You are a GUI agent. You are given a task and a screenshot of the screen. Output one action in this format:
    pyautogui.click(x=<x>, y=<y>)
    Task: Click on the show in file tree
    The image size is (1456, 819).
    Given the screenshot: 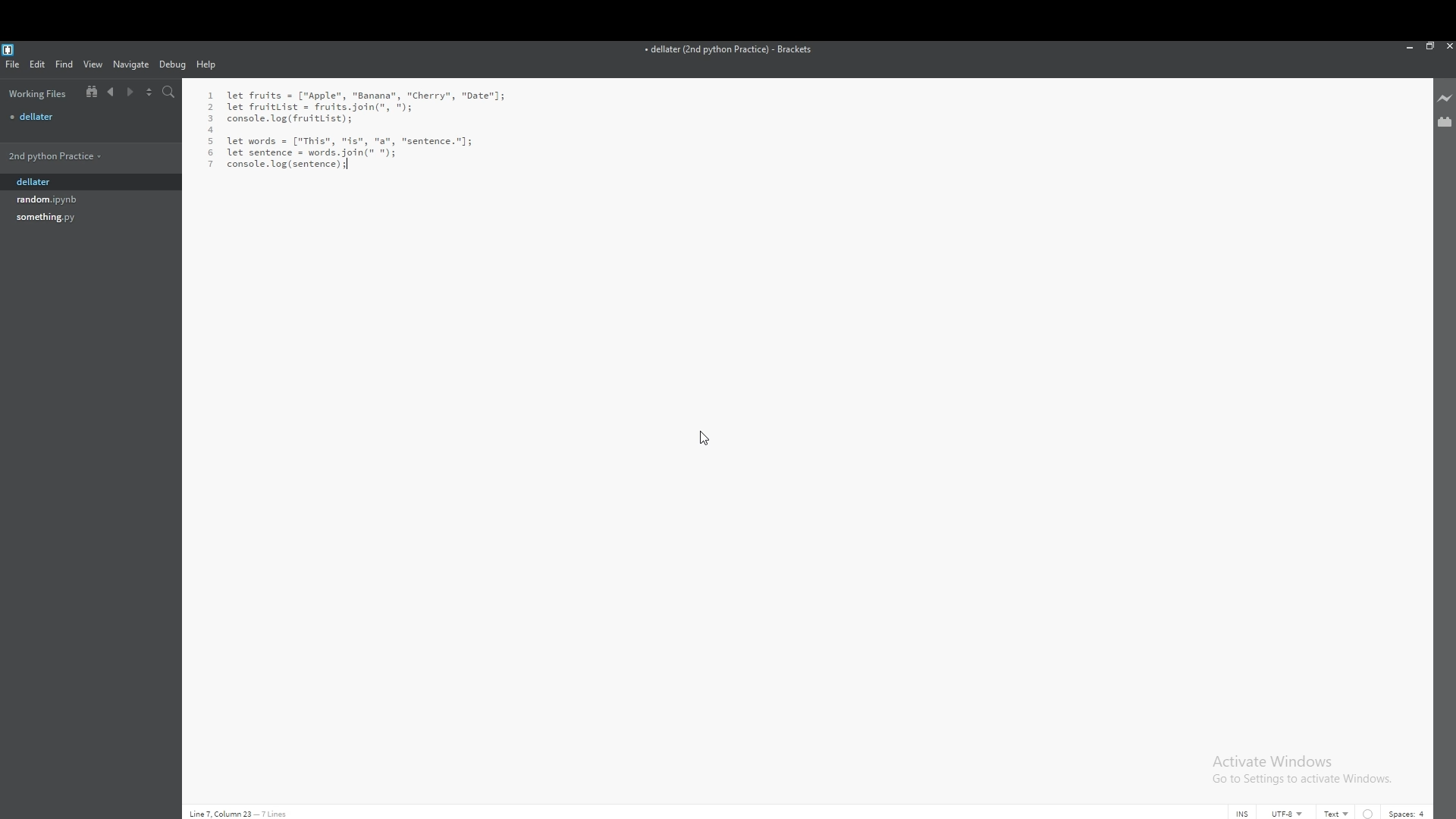 What is the action you would take?
    pyautogui.click(x=89, y=93)
    